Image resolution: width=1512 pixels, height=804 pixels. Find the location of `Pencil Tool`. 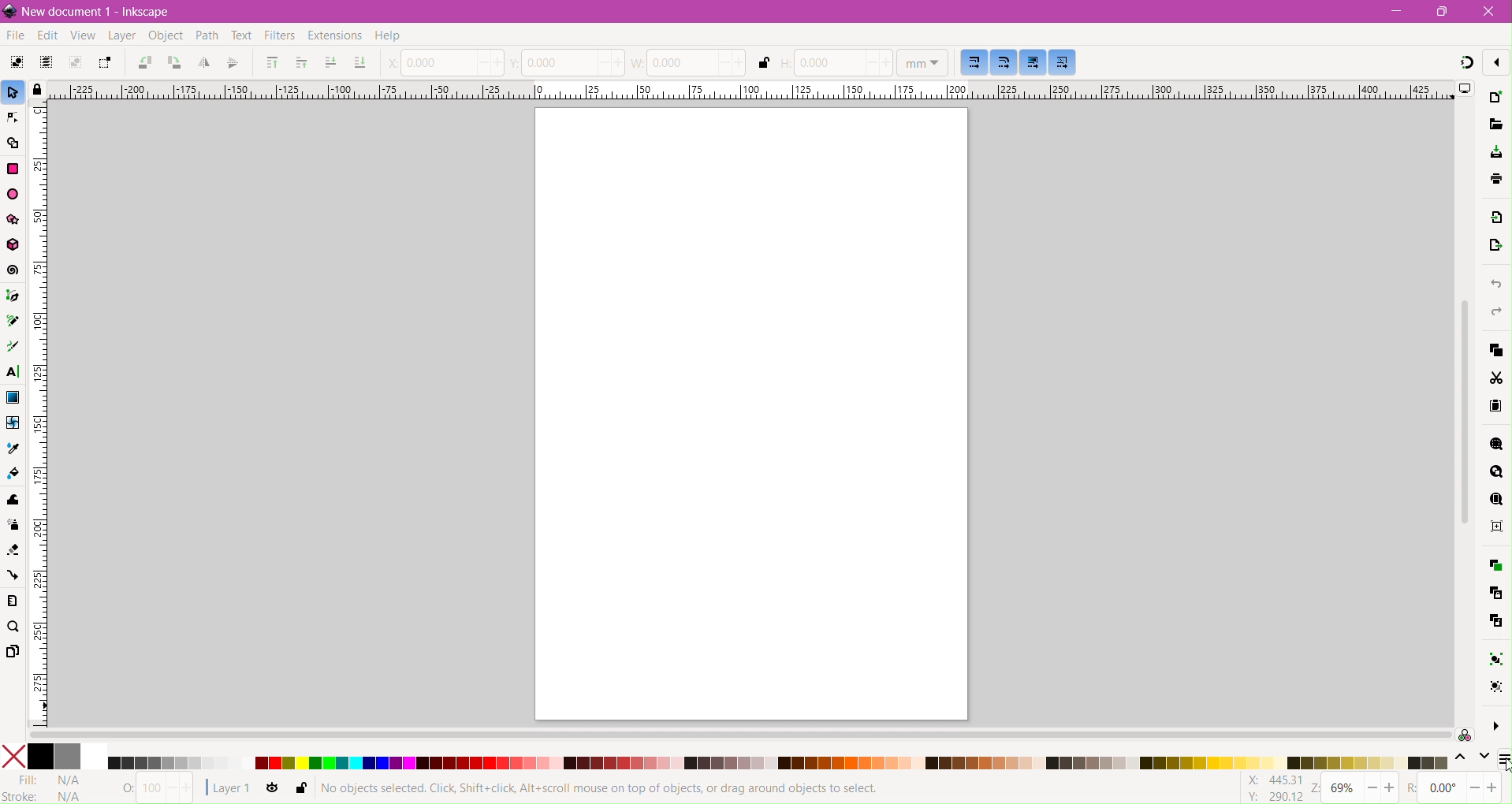

Pencil Tool is located at coordinates (13, 321).